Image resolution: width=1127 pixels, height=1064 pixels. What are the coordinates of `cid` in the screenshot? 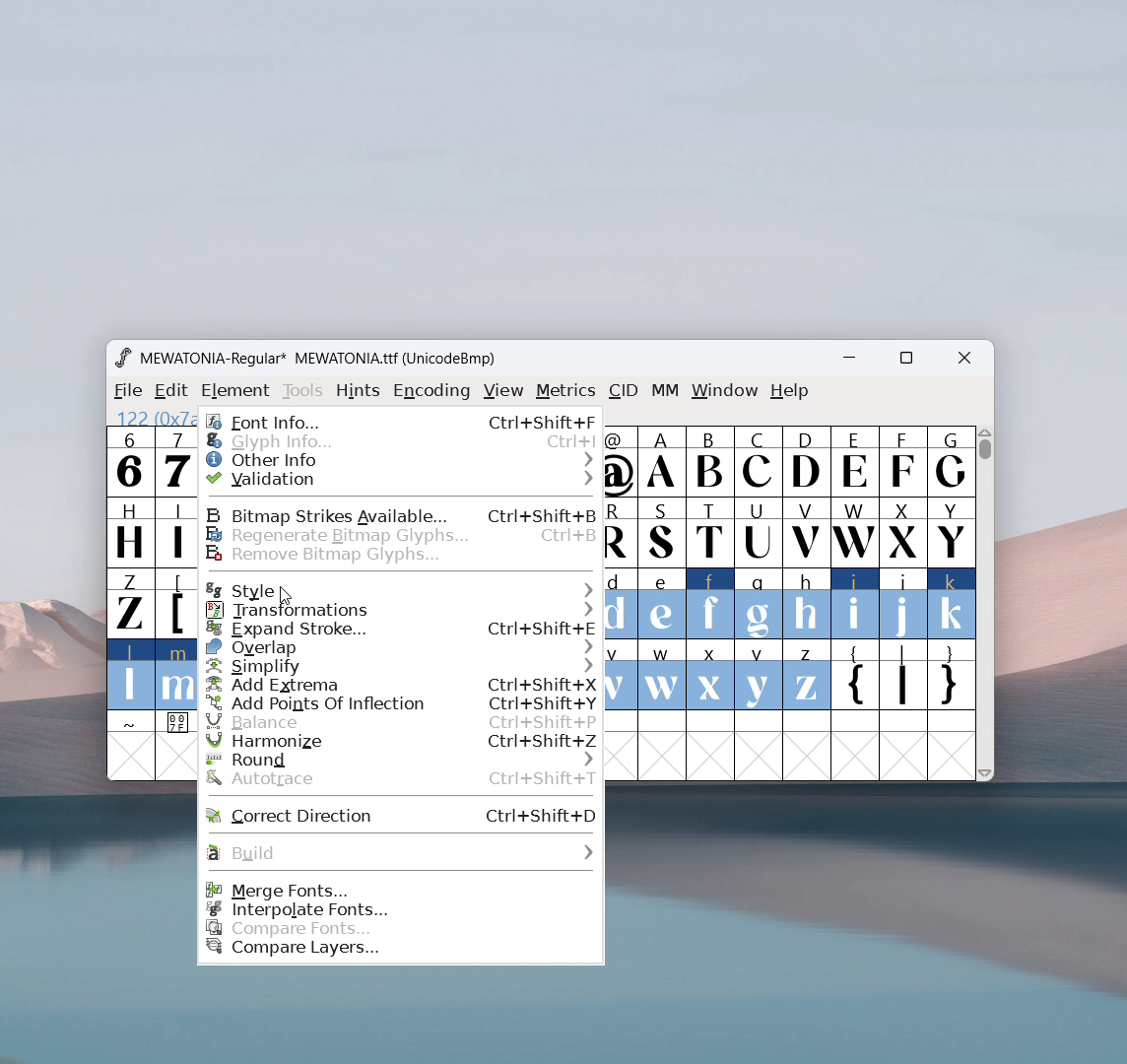 It's located at (623, 391).